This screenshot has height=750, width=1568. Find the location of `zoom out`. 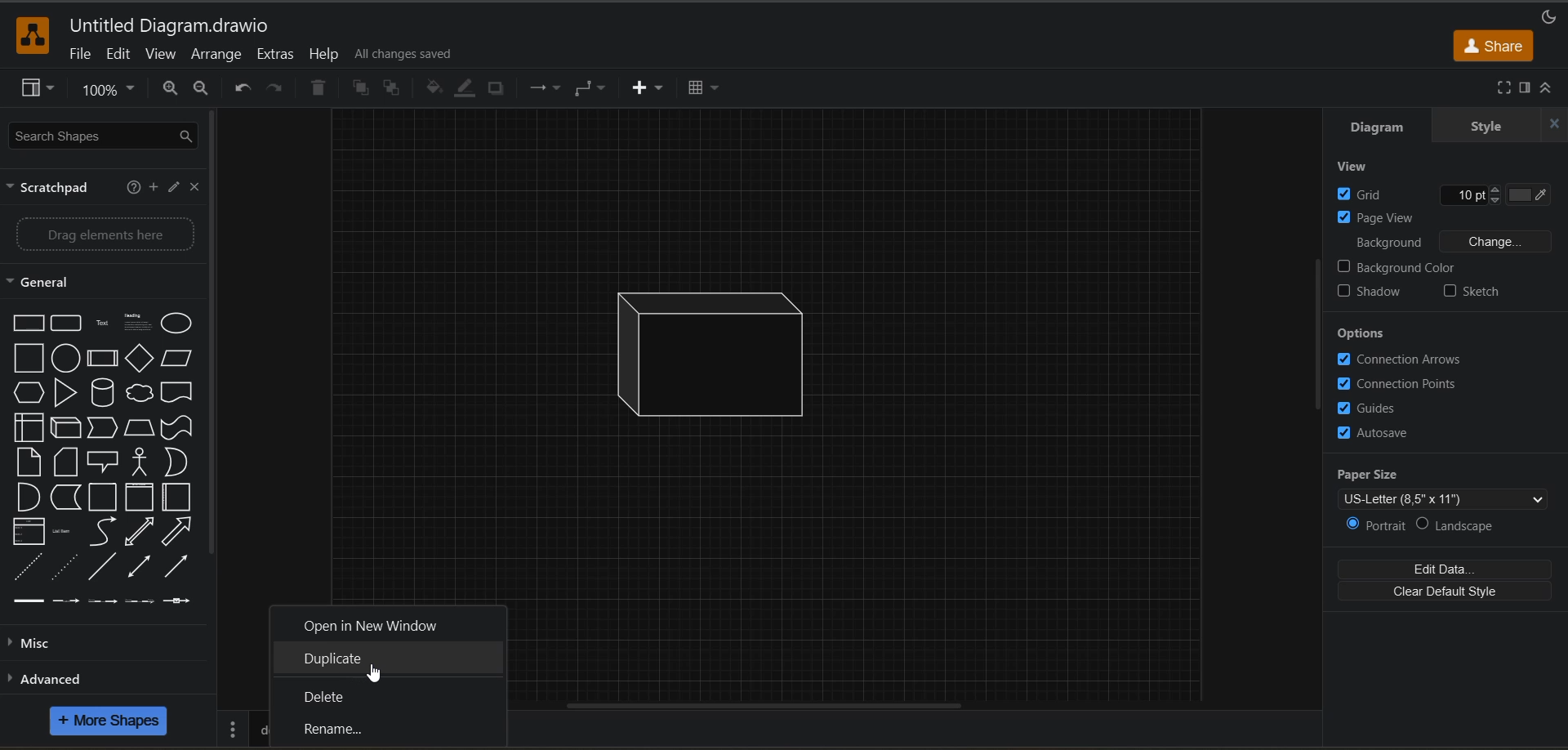

zoom out is located at coordinates (170, 88).